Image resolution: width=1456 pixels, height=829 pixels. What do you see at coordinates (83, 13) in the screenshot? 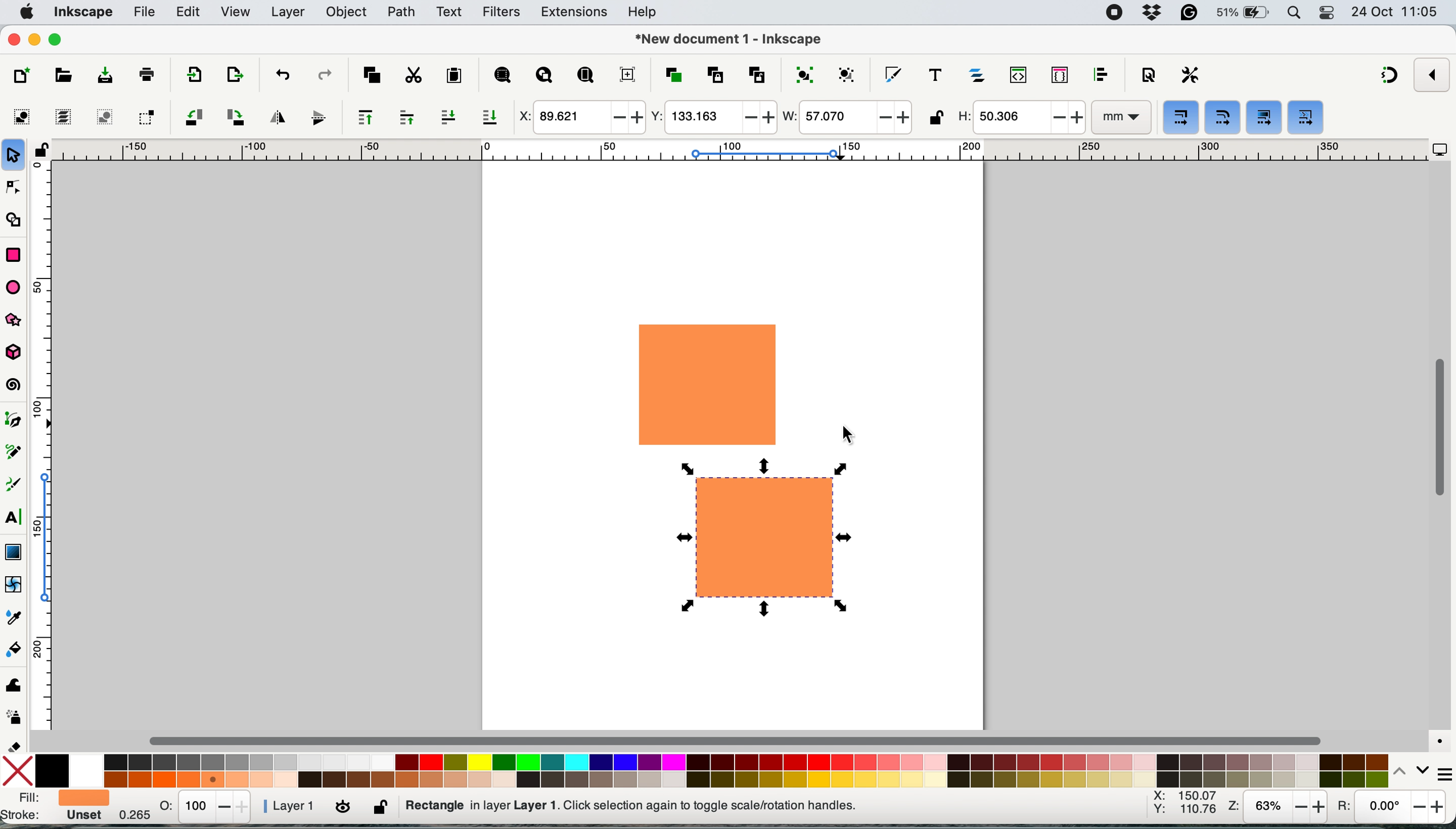
I see `inkscape` at bounding box center [83, 13].